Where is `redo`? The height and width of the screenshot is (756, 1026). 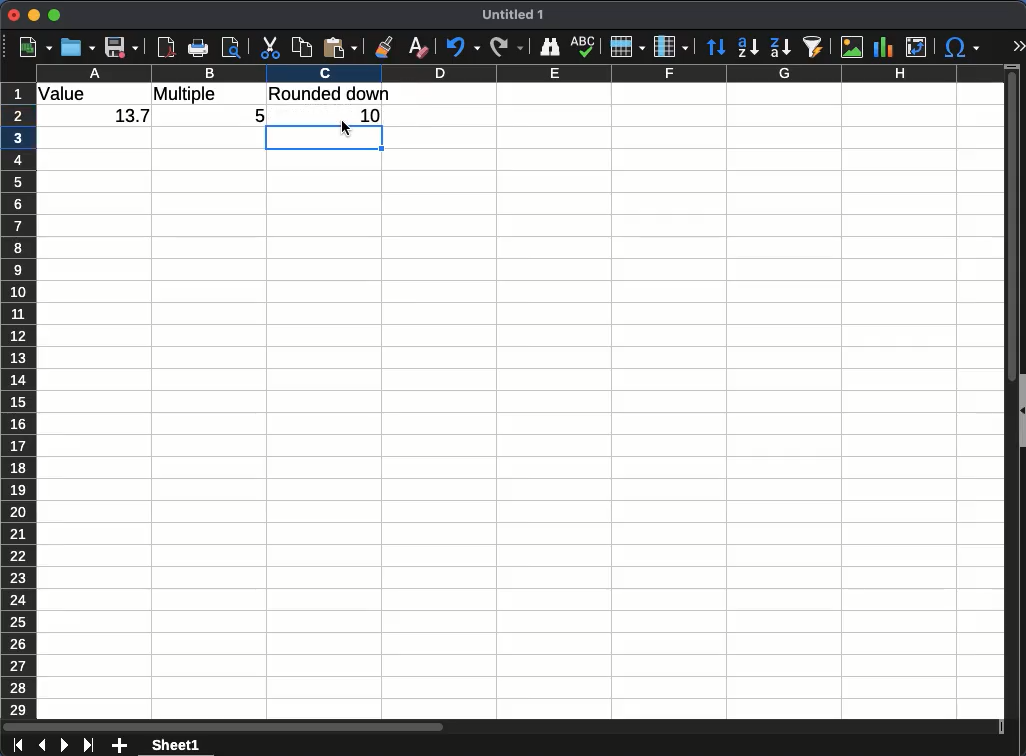
redo is located at coordinates (507, 47).